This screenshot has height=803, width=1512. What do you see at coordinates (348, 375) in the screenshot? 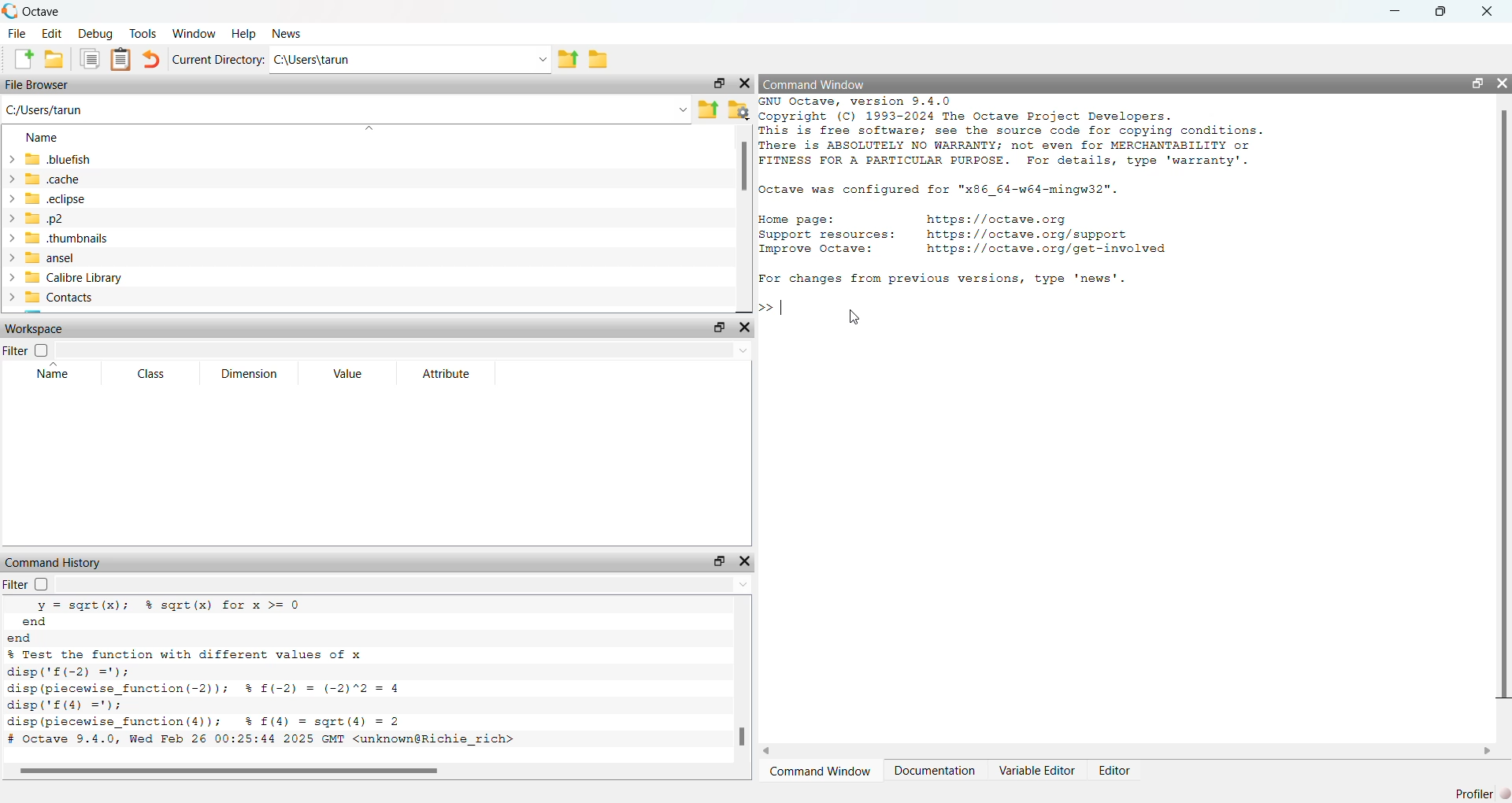
I see `Value` at bounding box center [348, 375].